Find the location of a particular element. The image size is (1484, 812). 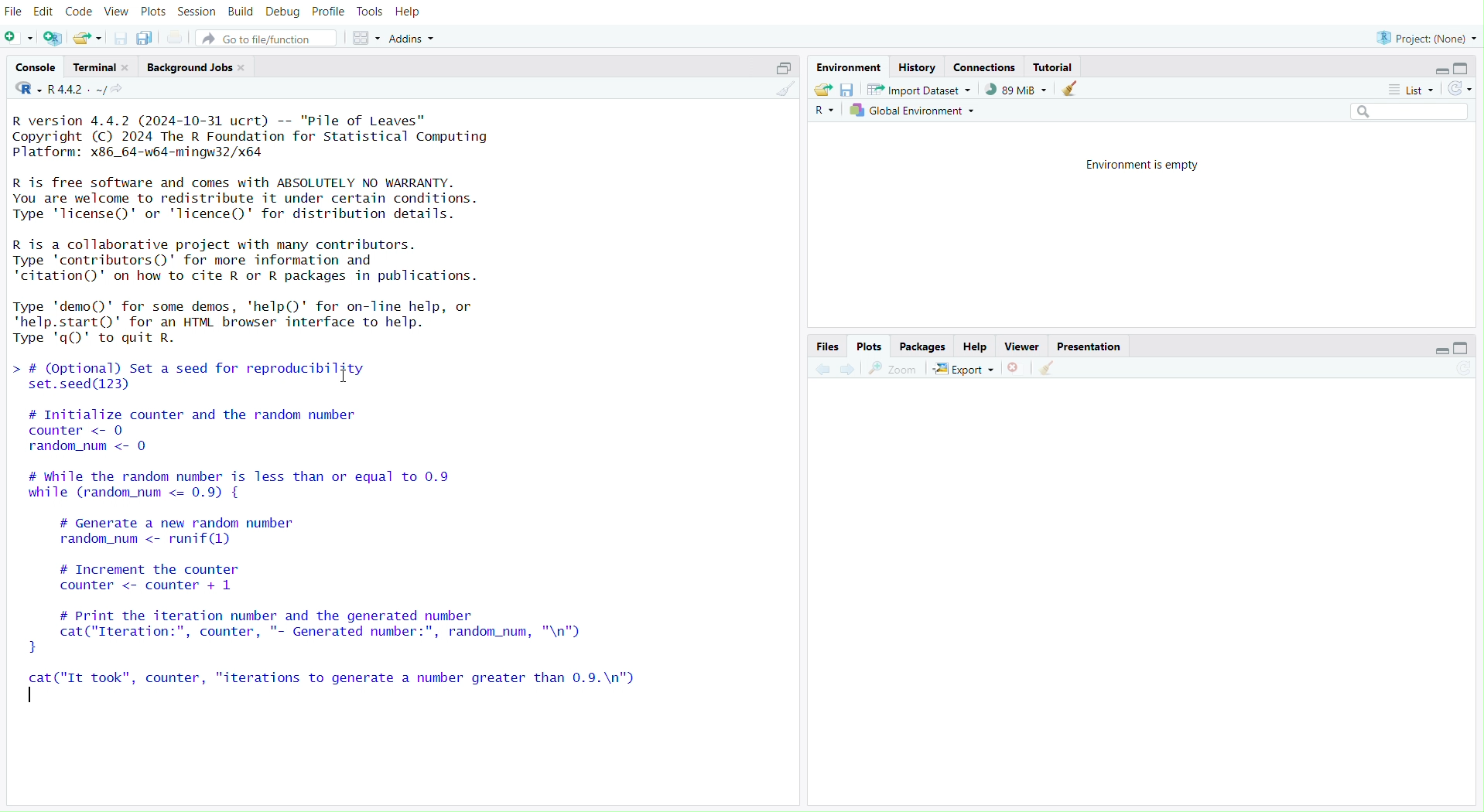

Connections is located at coordinates (987, 66).